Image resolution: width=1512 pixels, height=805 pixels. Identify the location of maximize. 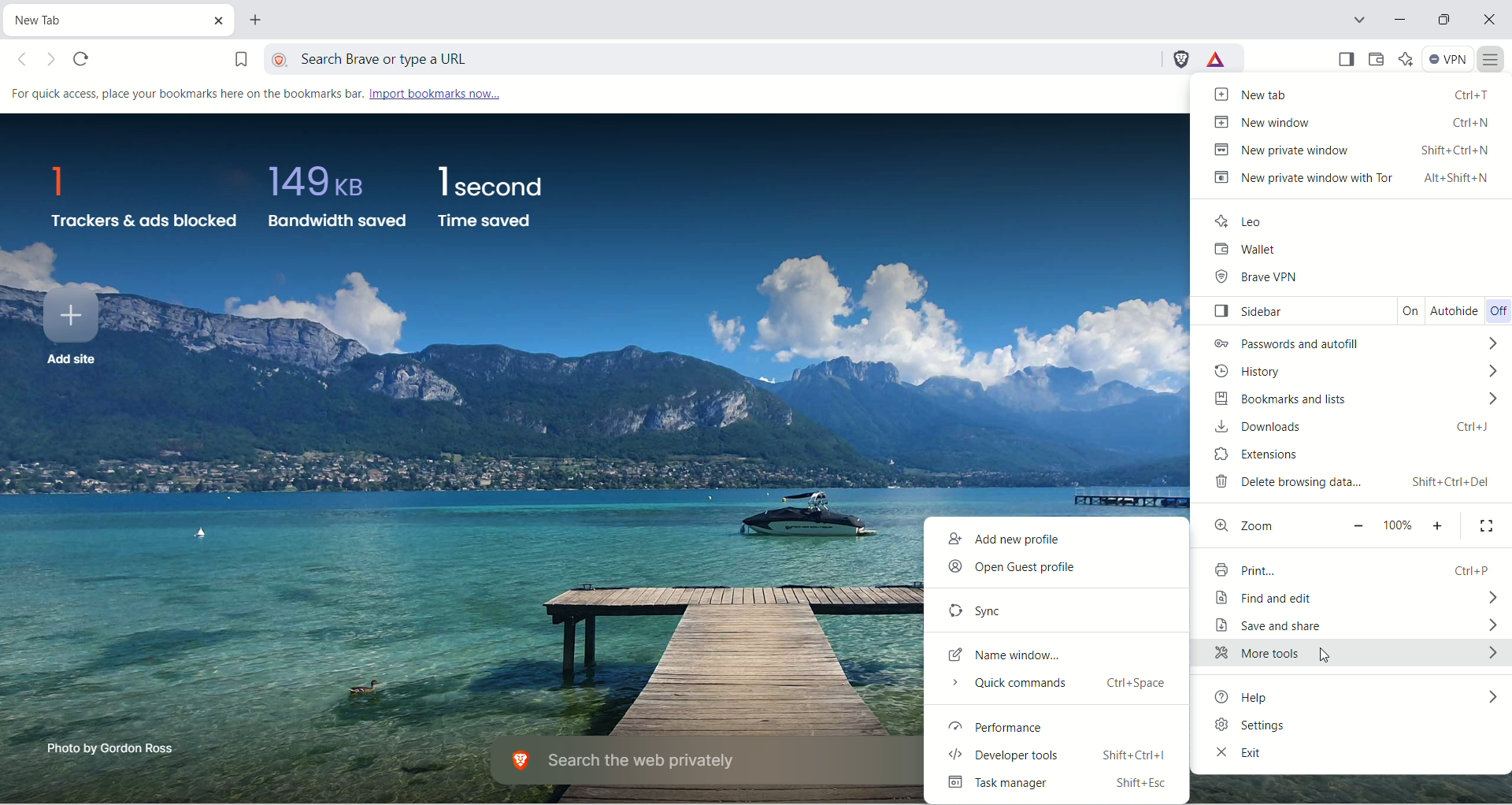
(1444, 18).